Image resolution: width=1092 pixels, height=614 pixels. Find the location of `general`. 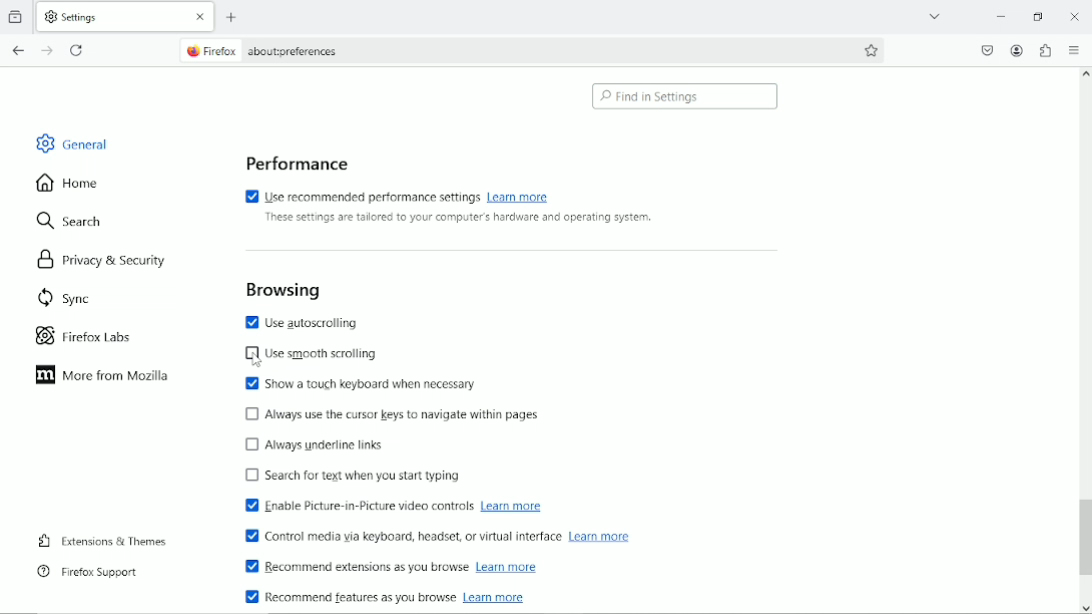

general is located at coordinates (71, 142).